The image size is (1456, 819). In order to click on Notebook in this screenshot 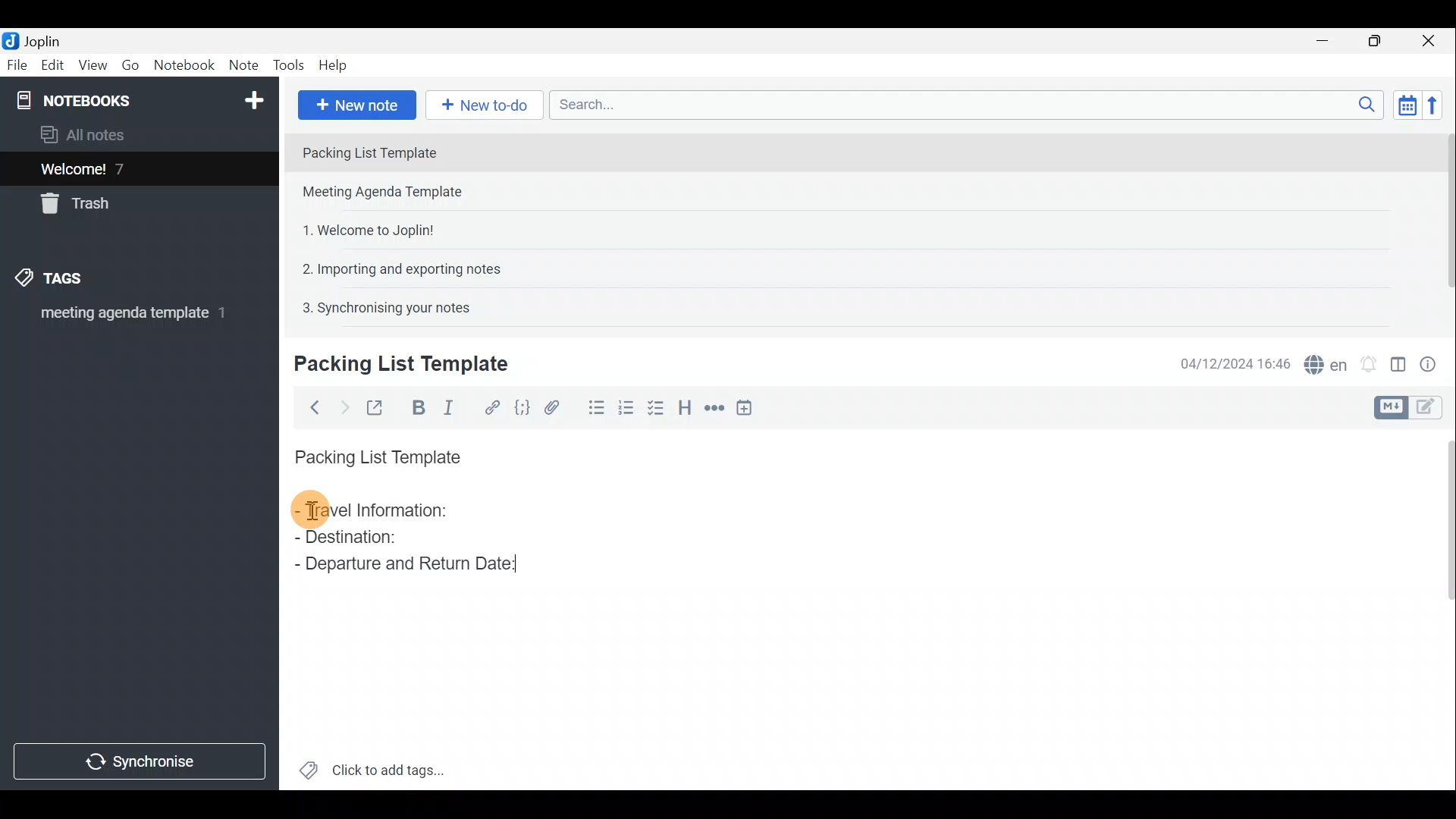, I will do `click(137, 99)`.